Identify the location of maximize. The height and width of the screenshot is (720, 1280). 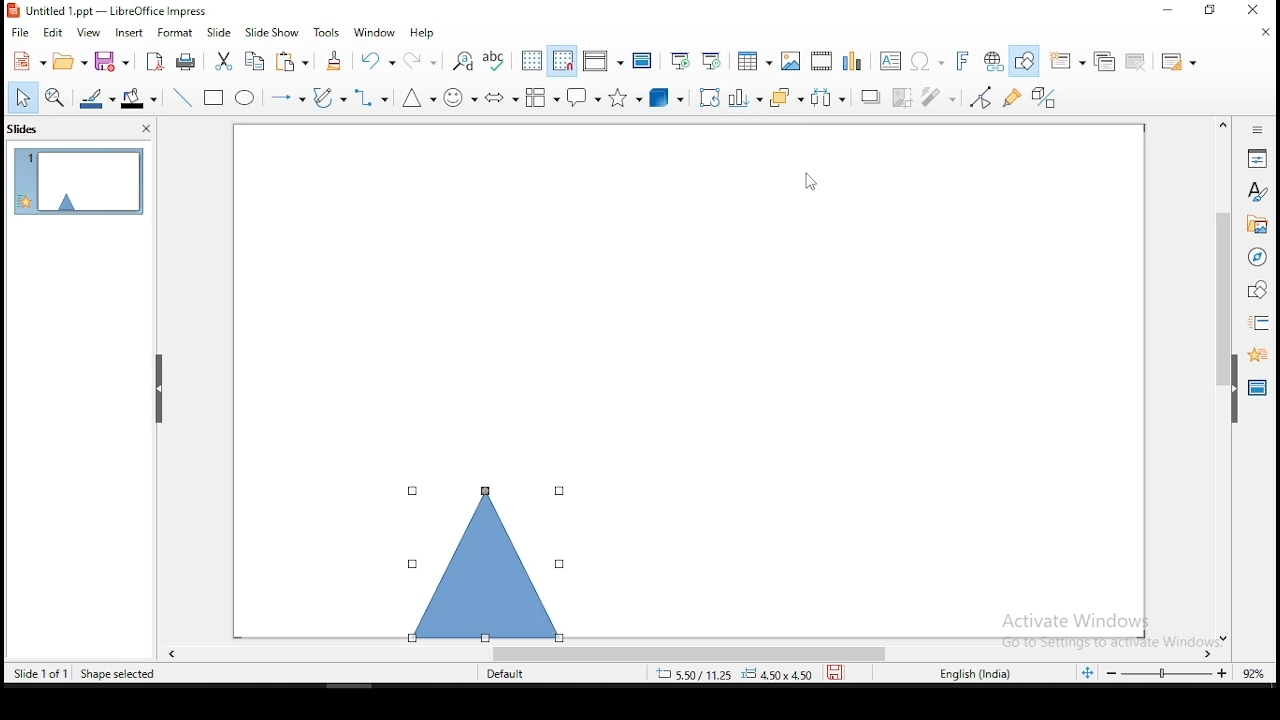
(1213, 11).